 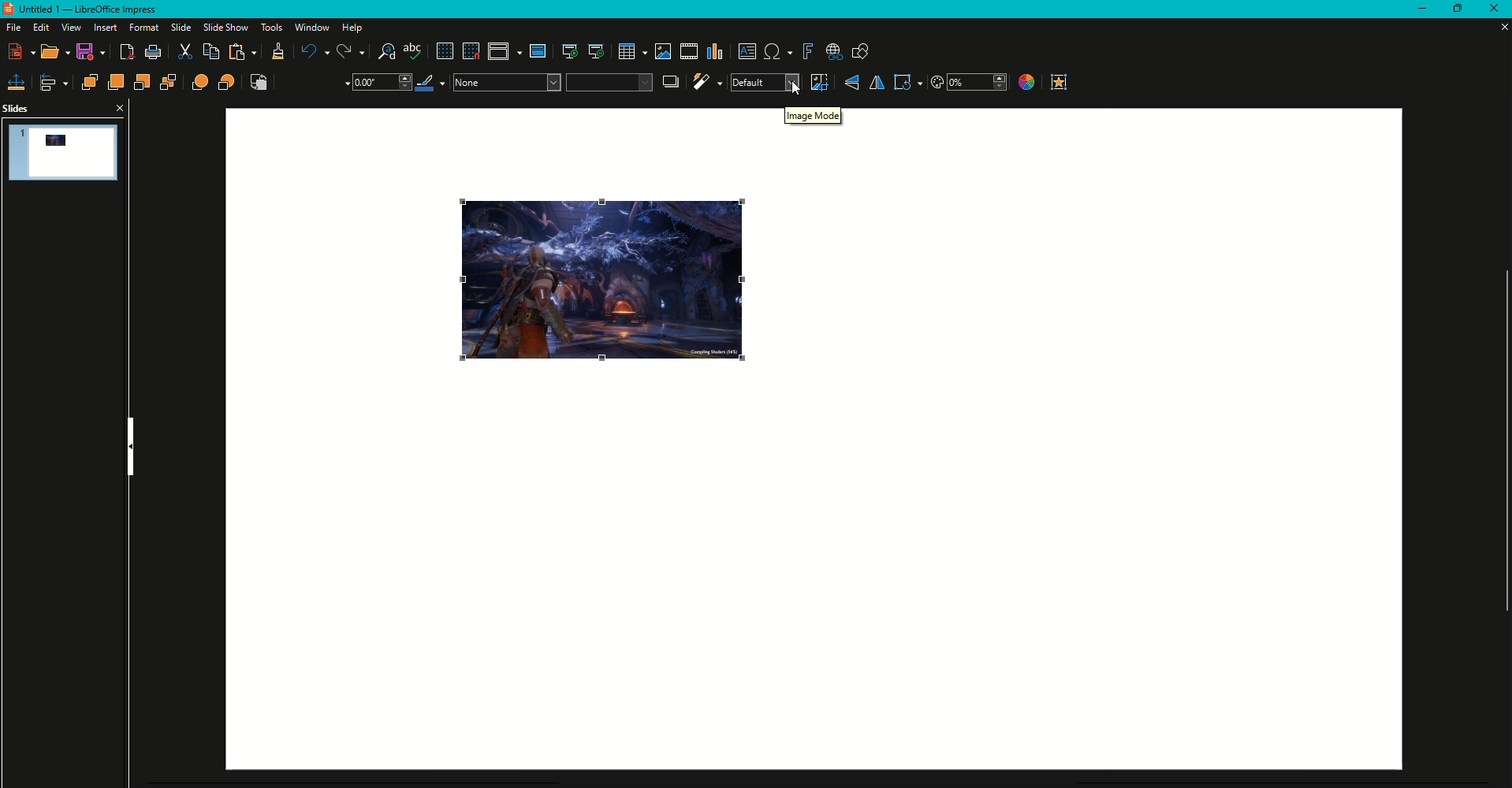 I want to click on New, so click(x=23, y=51).